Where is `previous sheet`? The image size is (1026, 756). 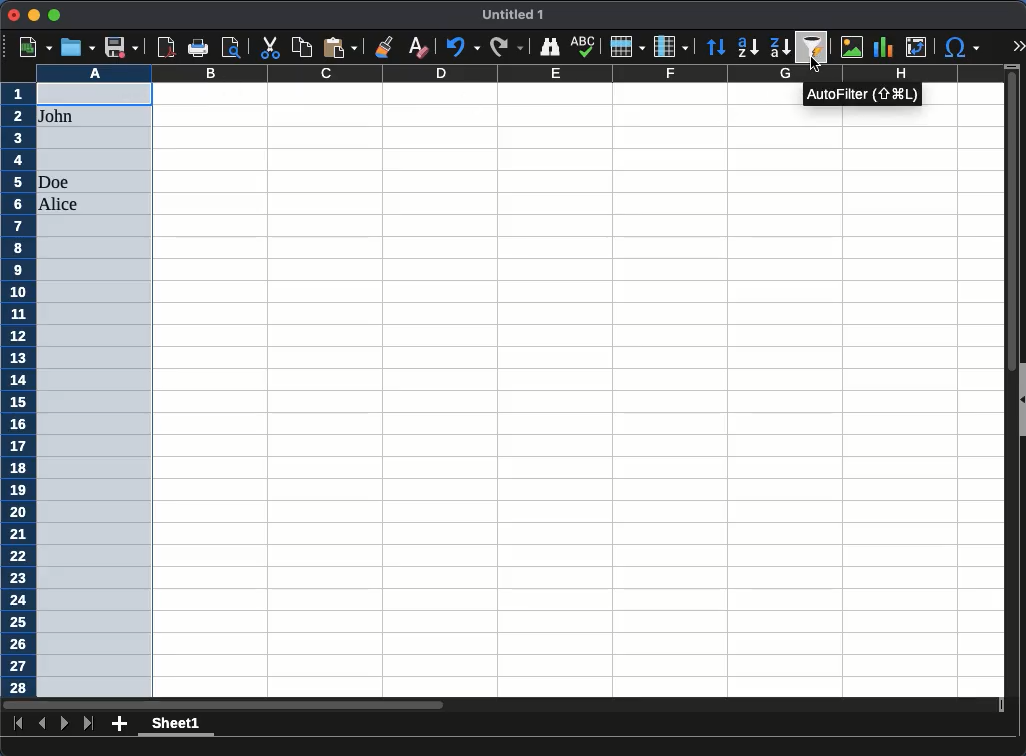
previous sheet is located at coordinates (44, 723).